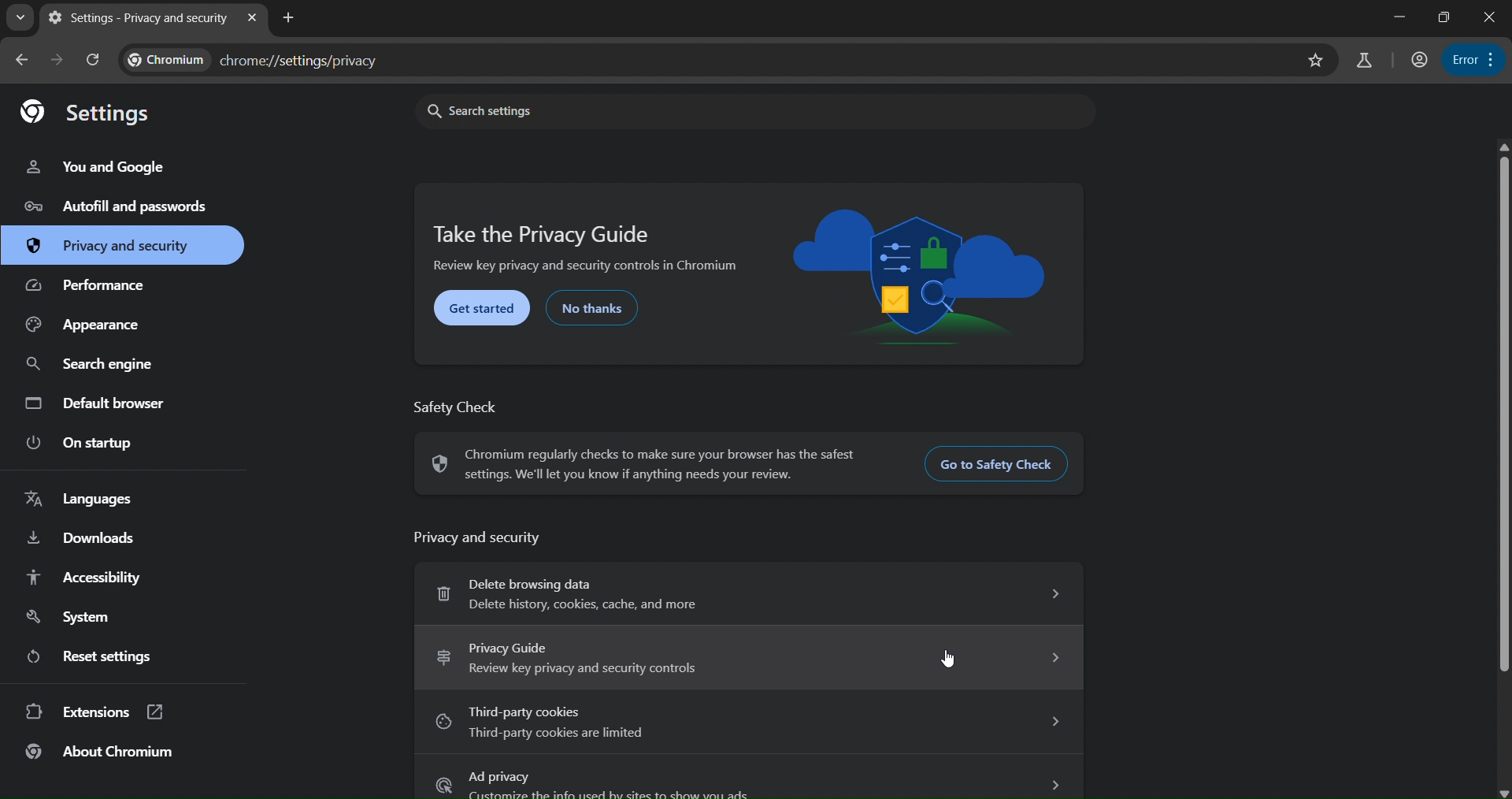 The image size is (1512, 799). What do you see at coordinates (254, 16) in the screenshot?
I see `close tab` at bounding box center [254, 16].